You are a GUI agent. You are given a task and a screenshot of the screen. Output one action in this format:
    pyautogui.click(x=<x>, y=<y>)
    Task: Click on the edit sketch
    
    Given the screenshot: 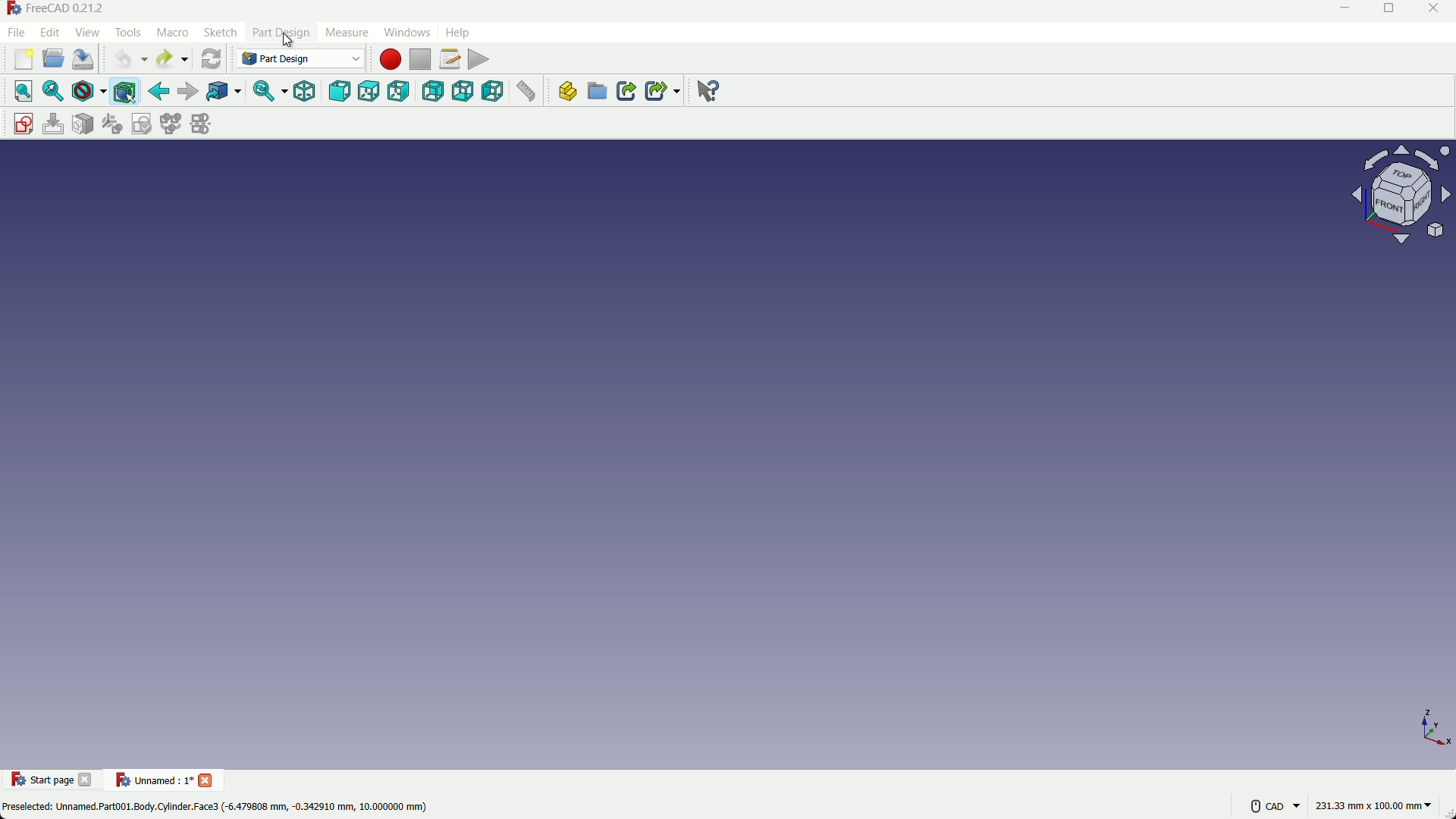 What is the action you would take?
    pyautogui.click(x=54, y=124)
    